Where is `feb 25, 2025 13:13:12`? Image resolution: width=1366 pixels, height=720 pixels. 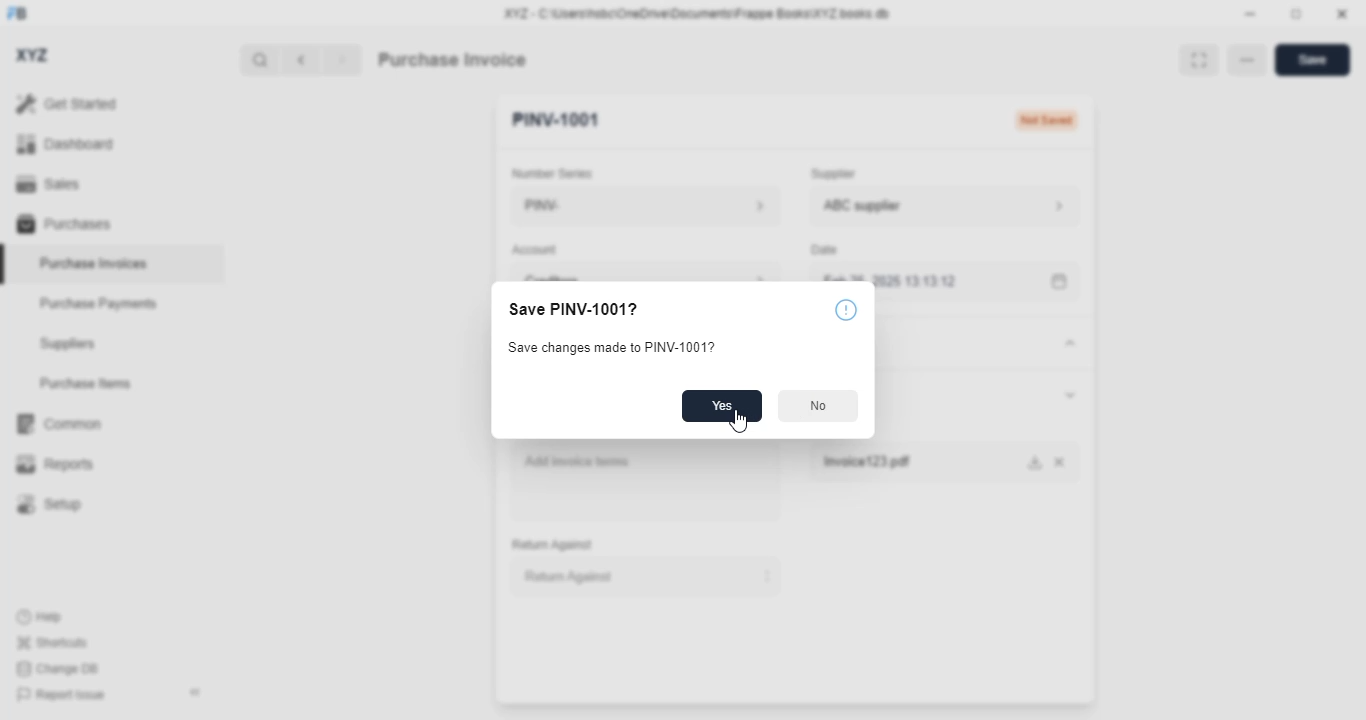
feb 25, 2025 13:13:12 is located at coordinates (905, 272).